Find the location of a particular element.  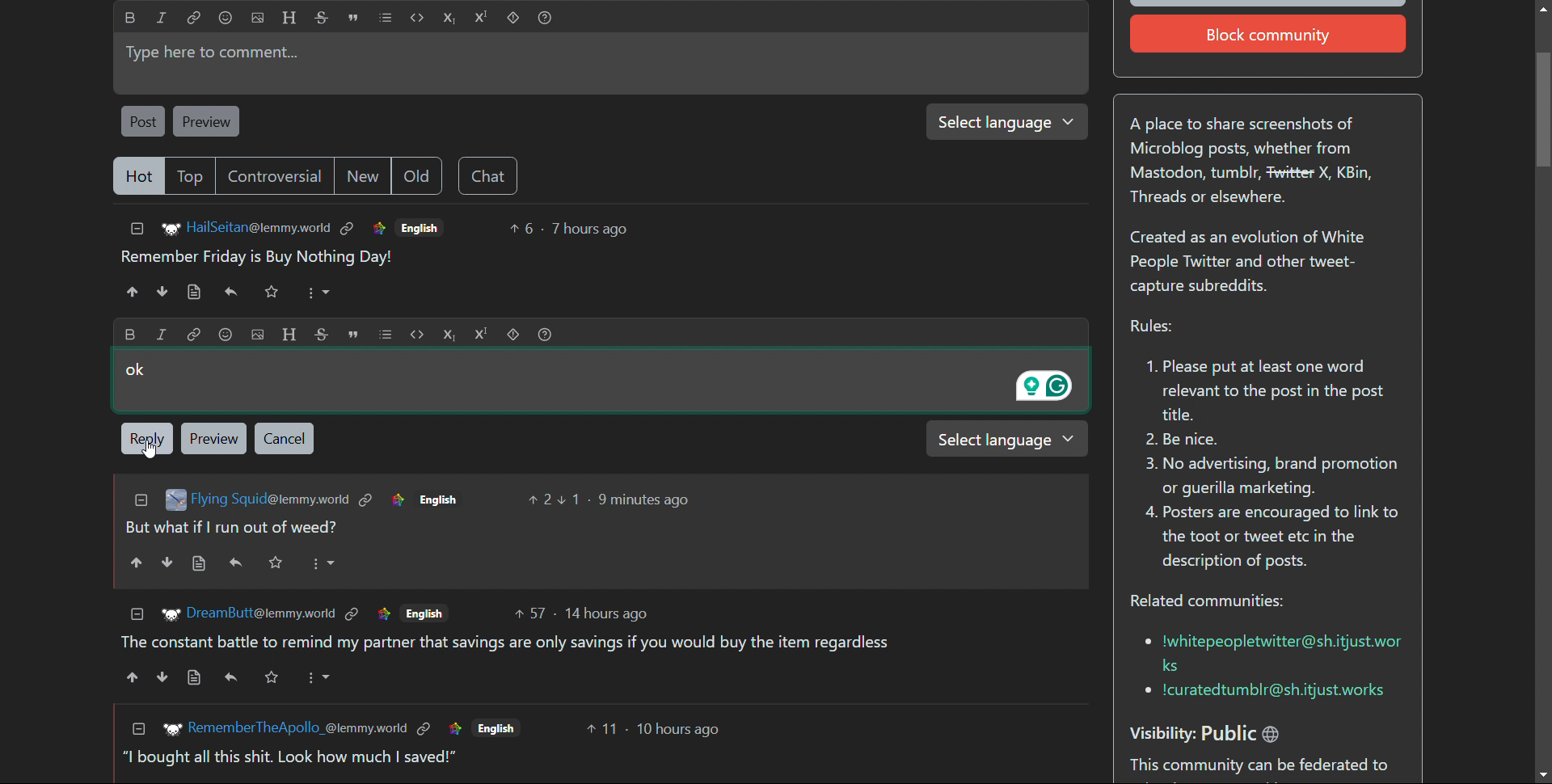

Bold is located at coordinates (131, 333).